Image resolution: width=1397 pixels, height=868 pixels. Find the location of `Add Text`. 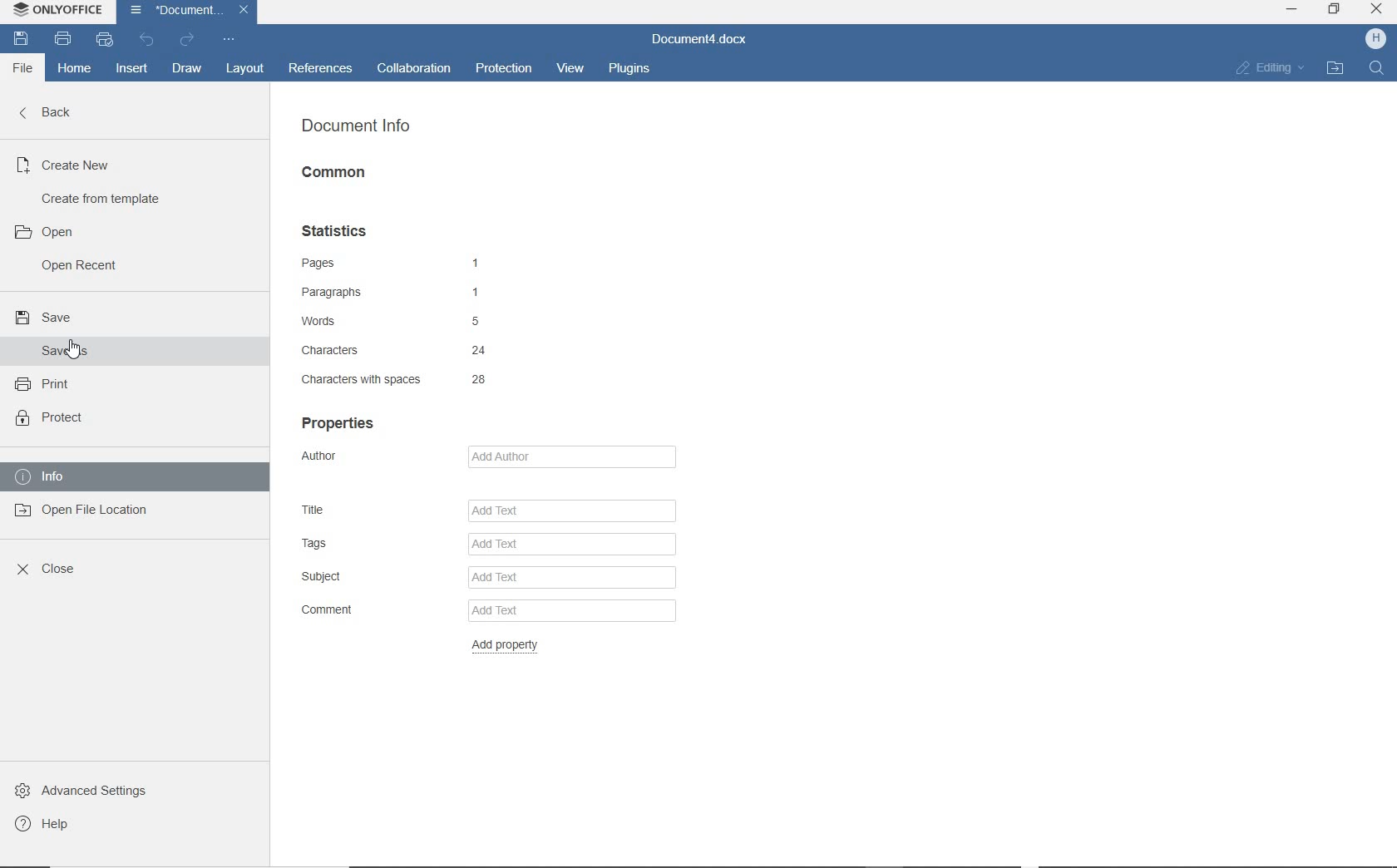

Add Text is located at coordinates (570, 611).